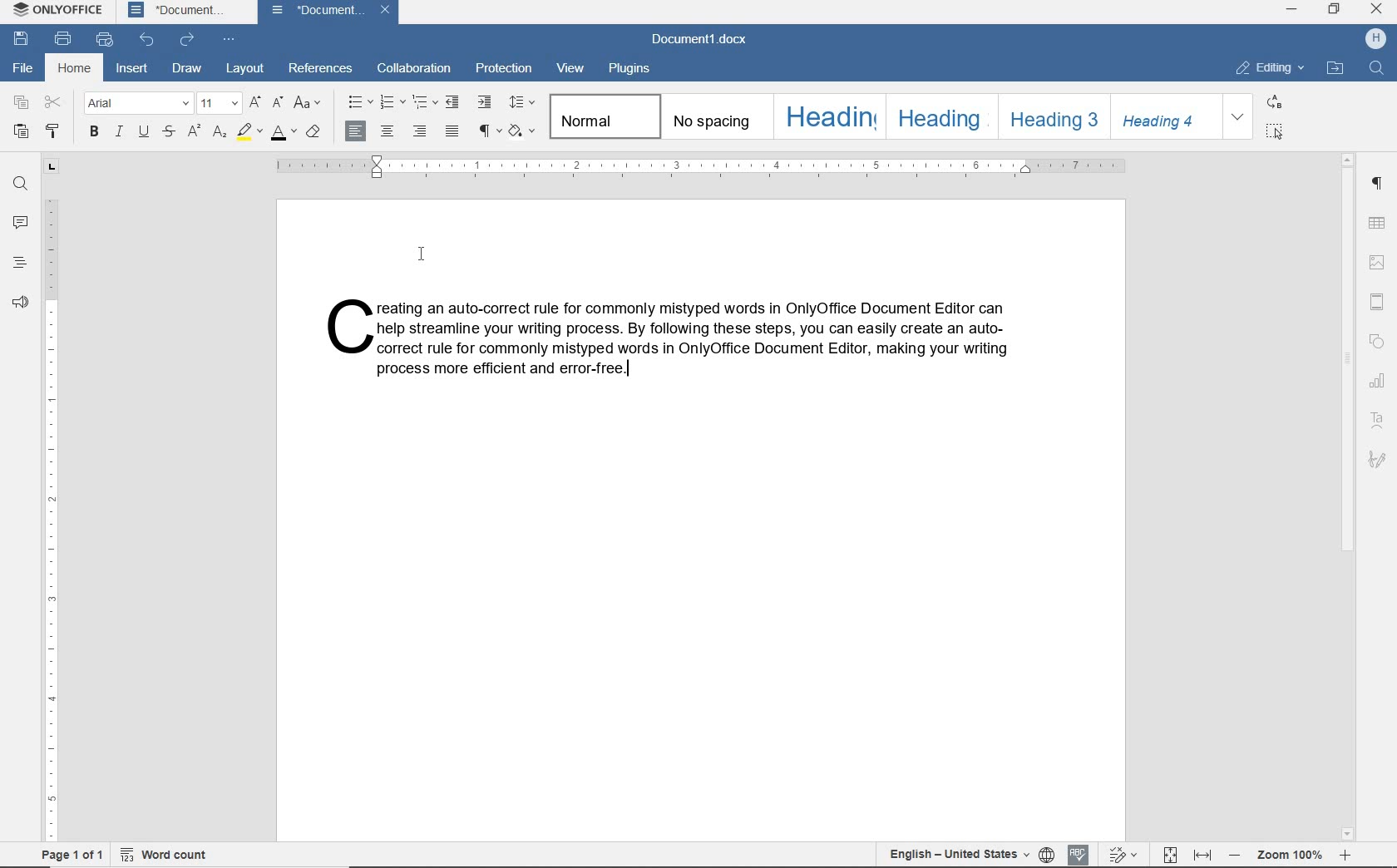 The image size is (1397, 868). Describe the element at coordinates (225, 38) in the screenshot. I see `CUSTOMIZE QUICK ACCESS TOOLBAR` at that location.